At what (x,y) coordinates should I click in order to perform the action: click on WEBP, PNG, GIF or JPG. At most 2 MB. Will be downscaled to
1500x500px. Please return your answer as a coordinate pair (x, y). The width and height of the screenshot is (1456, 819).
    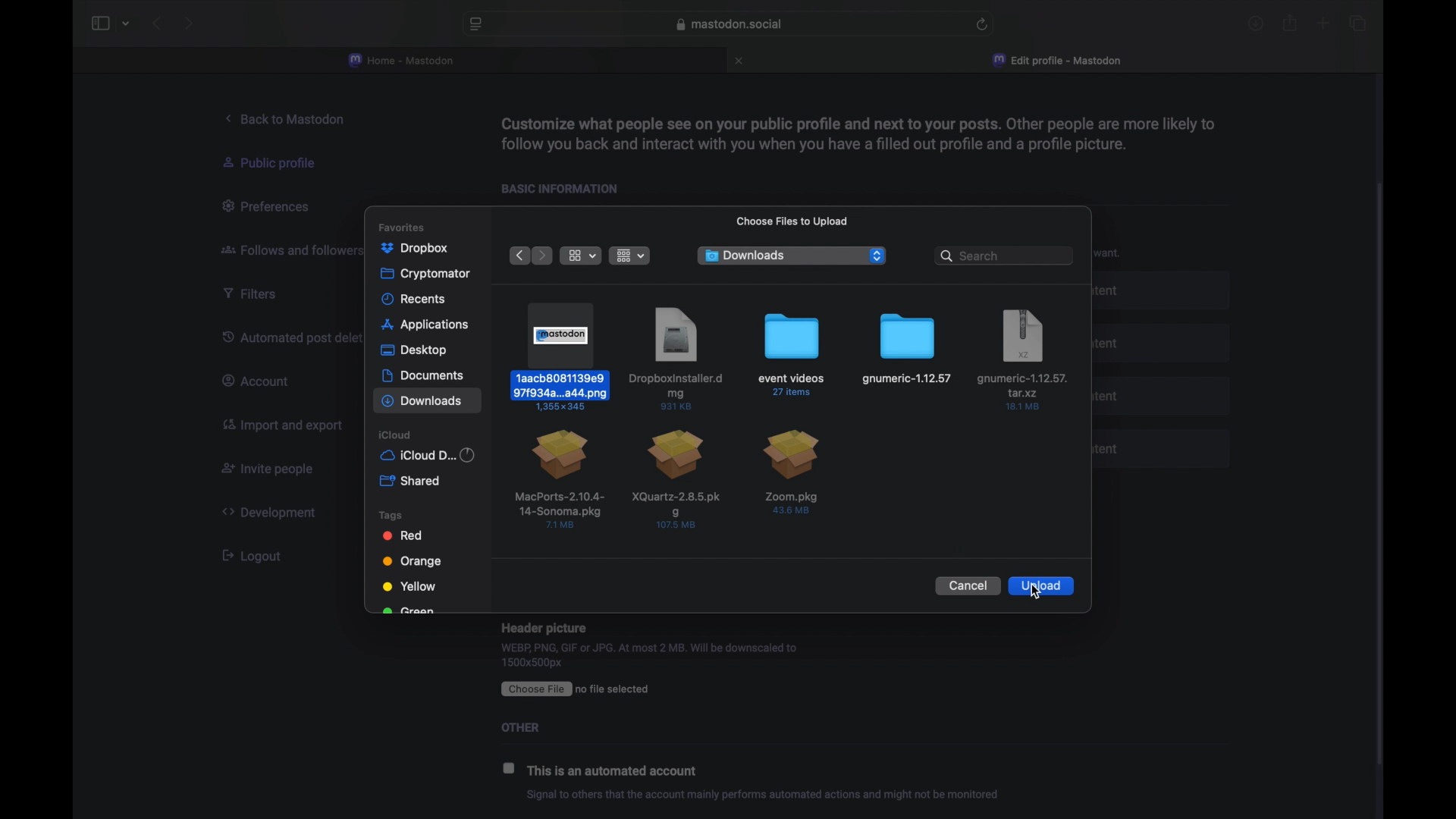
    Looking at the image, I should click on (650, 656).